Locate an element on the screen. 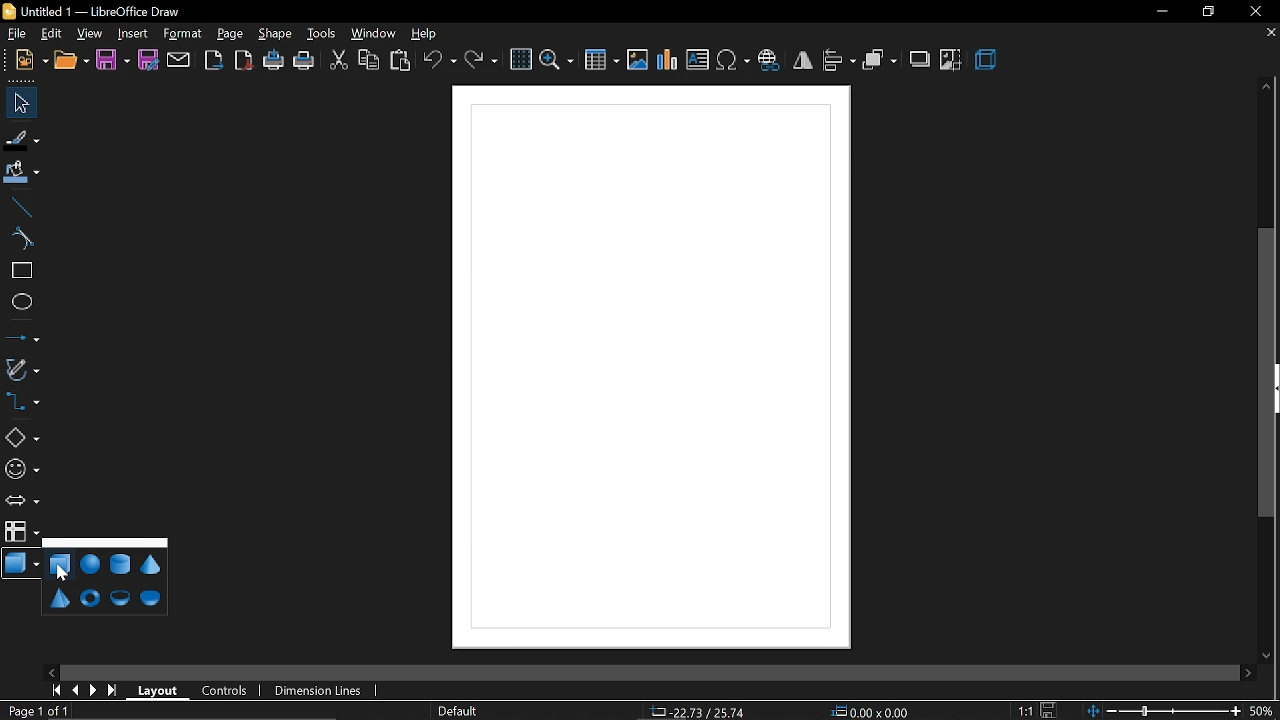 This screenshot has width=1280, height=720. insert table is located at coordinates (602, 60).